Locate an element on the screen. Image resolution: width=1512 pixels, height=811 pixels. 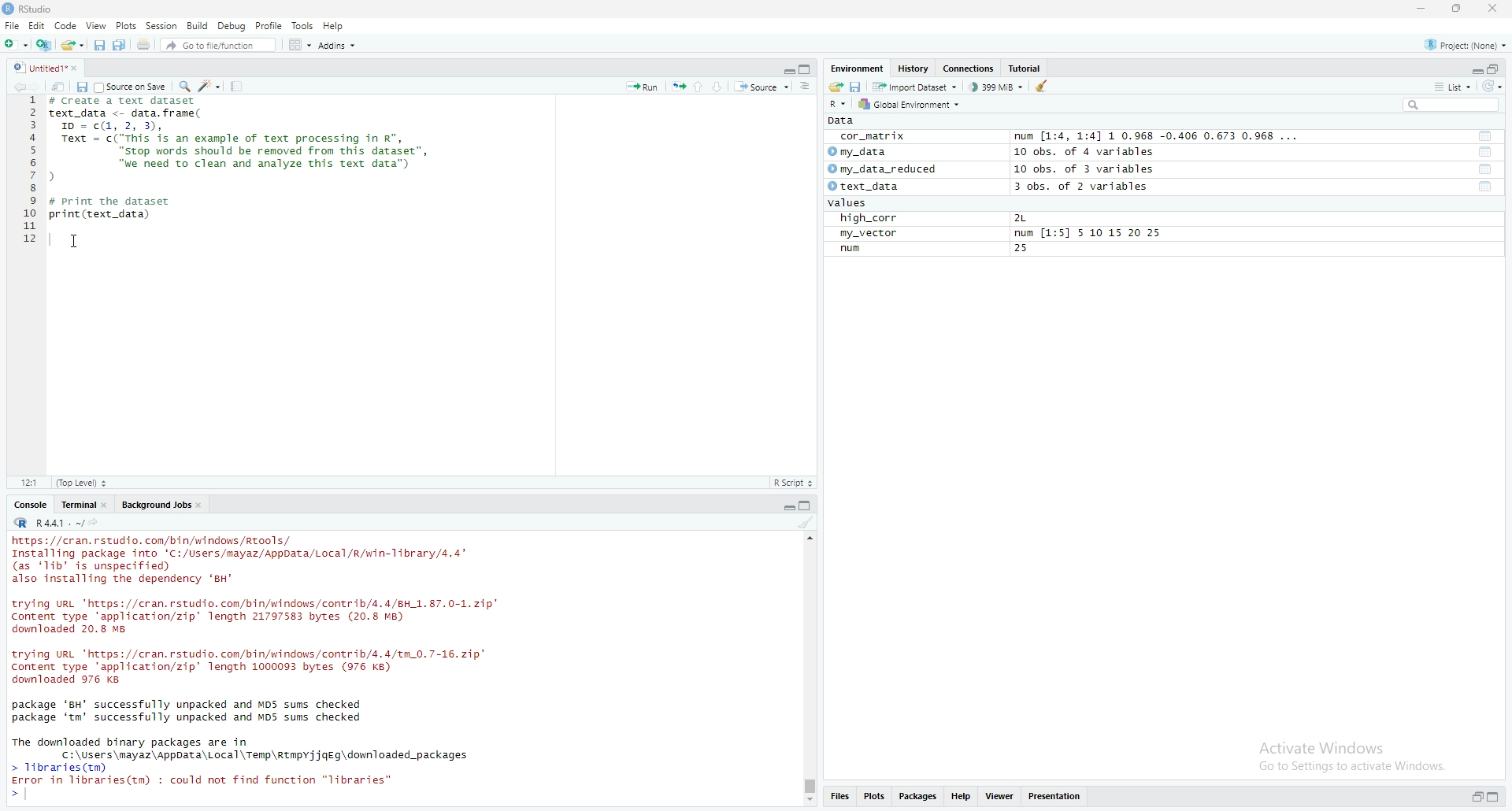
values is located at coordinates (843, 204).